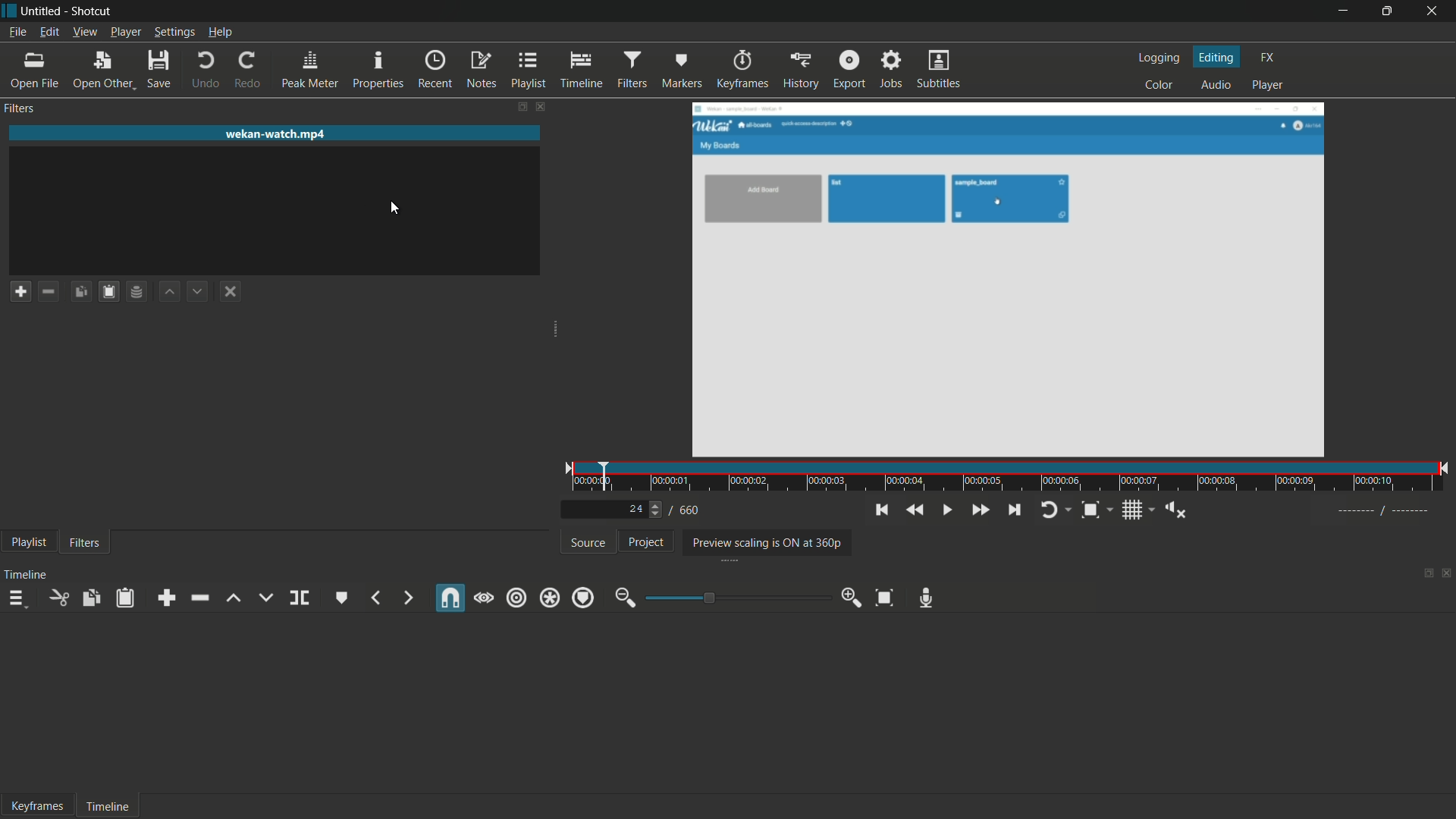  I want to click on help menu, so click(218, 31).